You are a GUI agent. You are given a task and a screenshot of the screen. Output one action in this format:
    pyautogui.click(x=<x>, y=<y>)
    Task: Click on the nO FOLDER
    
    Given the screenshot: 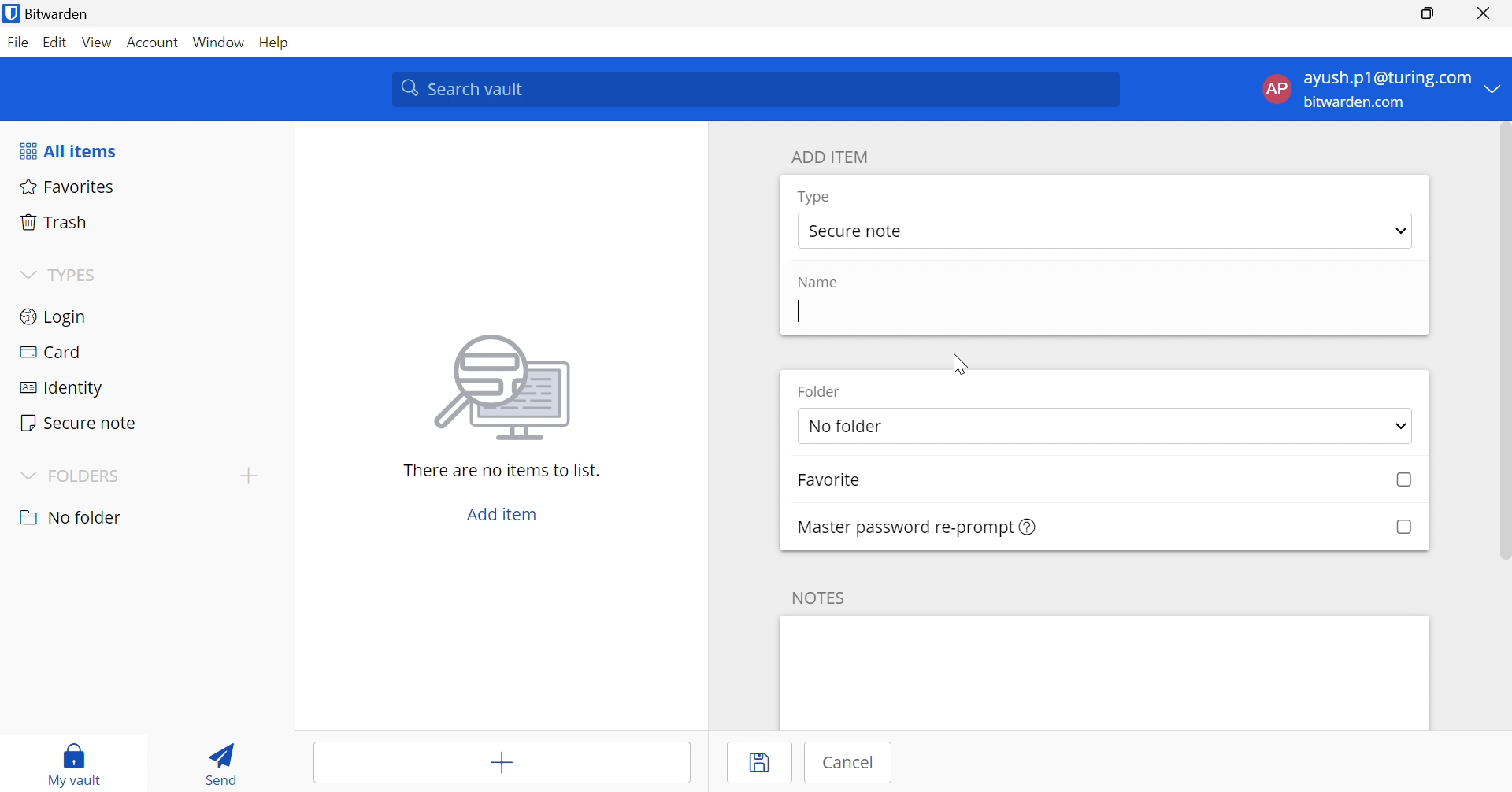 What is the action you would take?
    pyautogui.click(x=83, y=520)
    